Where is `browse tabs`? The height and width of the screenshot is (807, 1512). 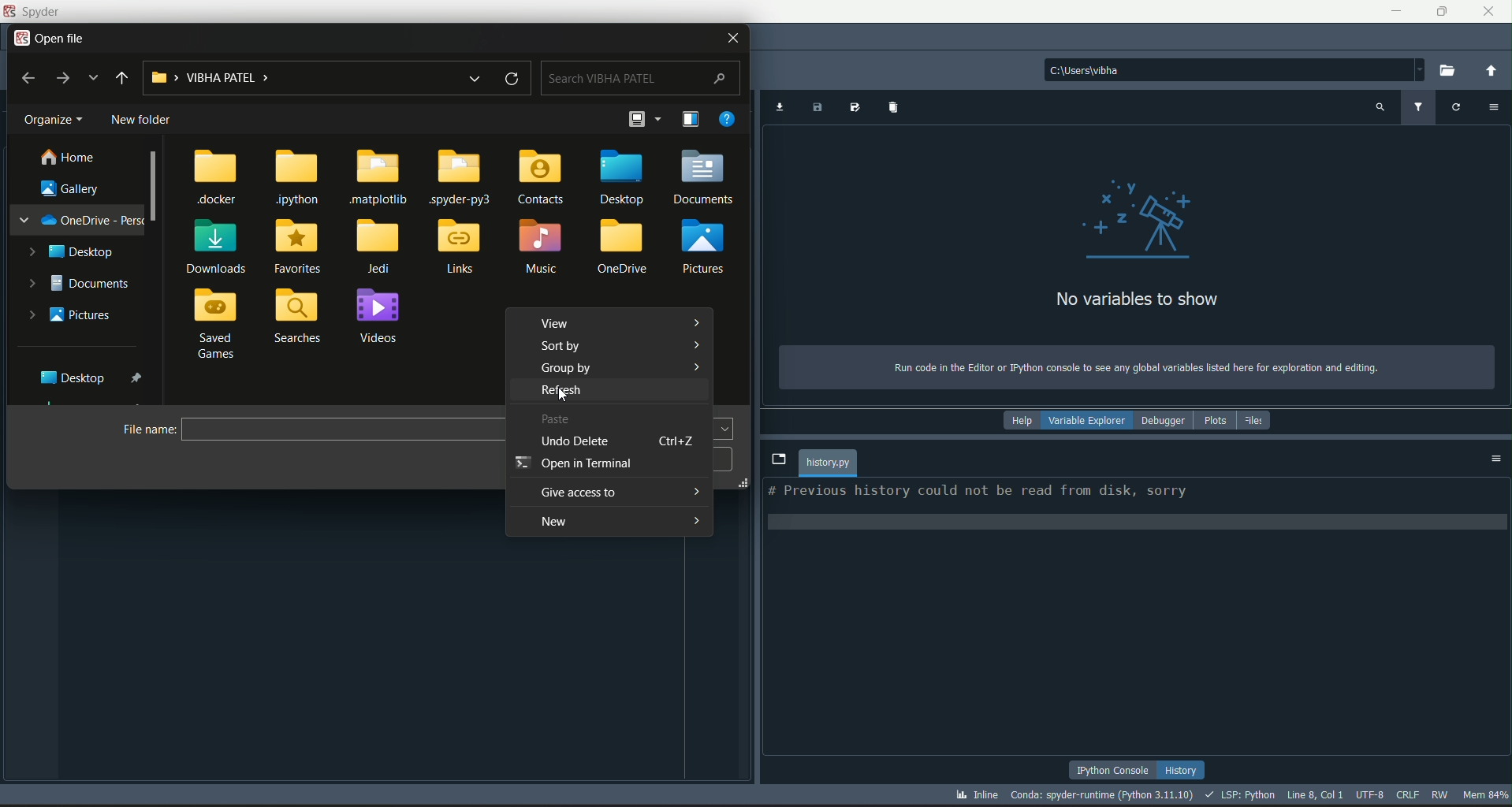
browse tabs is located at coordinates (778, 460).